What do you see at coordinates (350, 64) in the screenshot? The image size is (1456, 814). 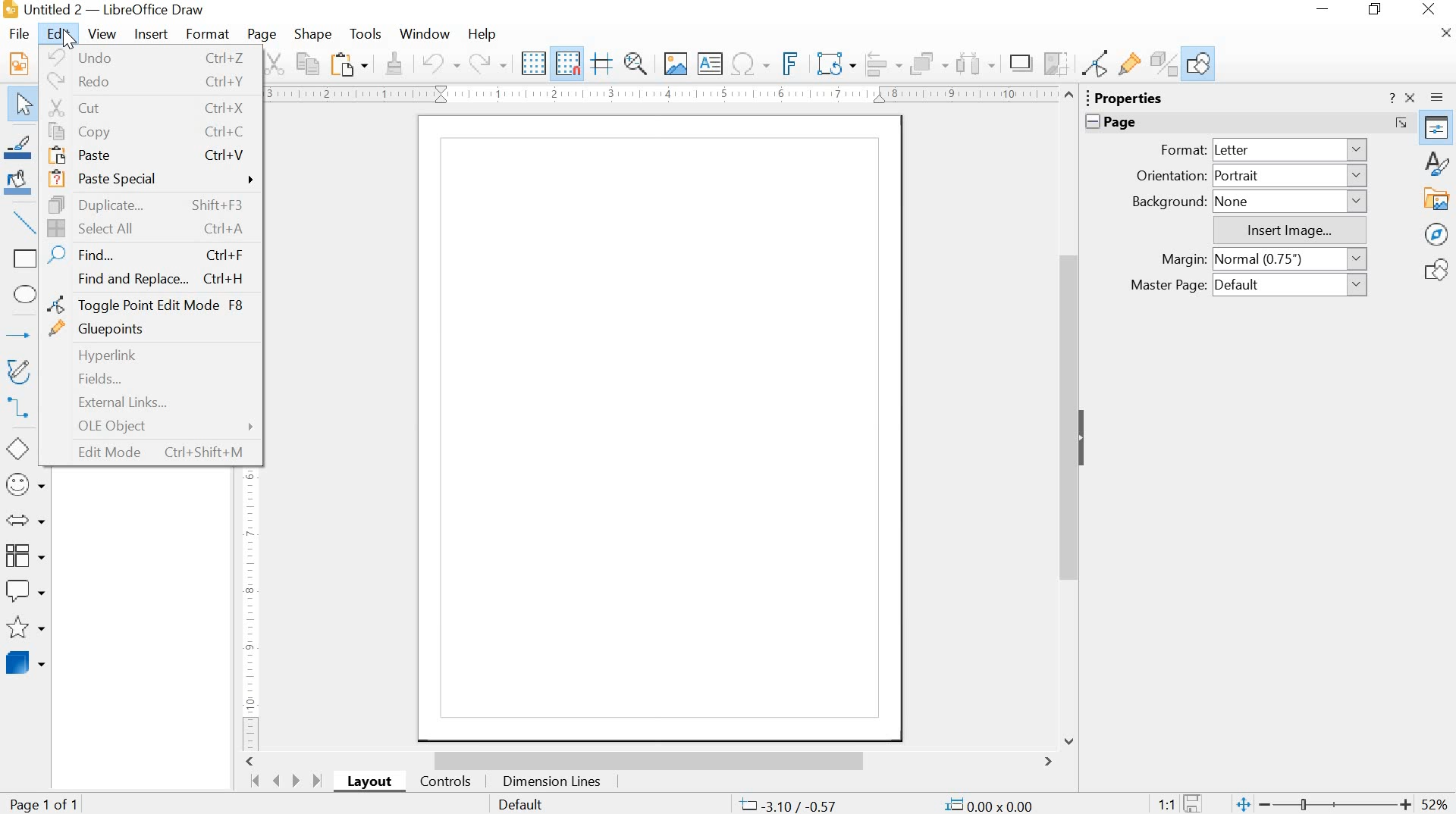 I see `Paste` at bounding box center [350, 64].